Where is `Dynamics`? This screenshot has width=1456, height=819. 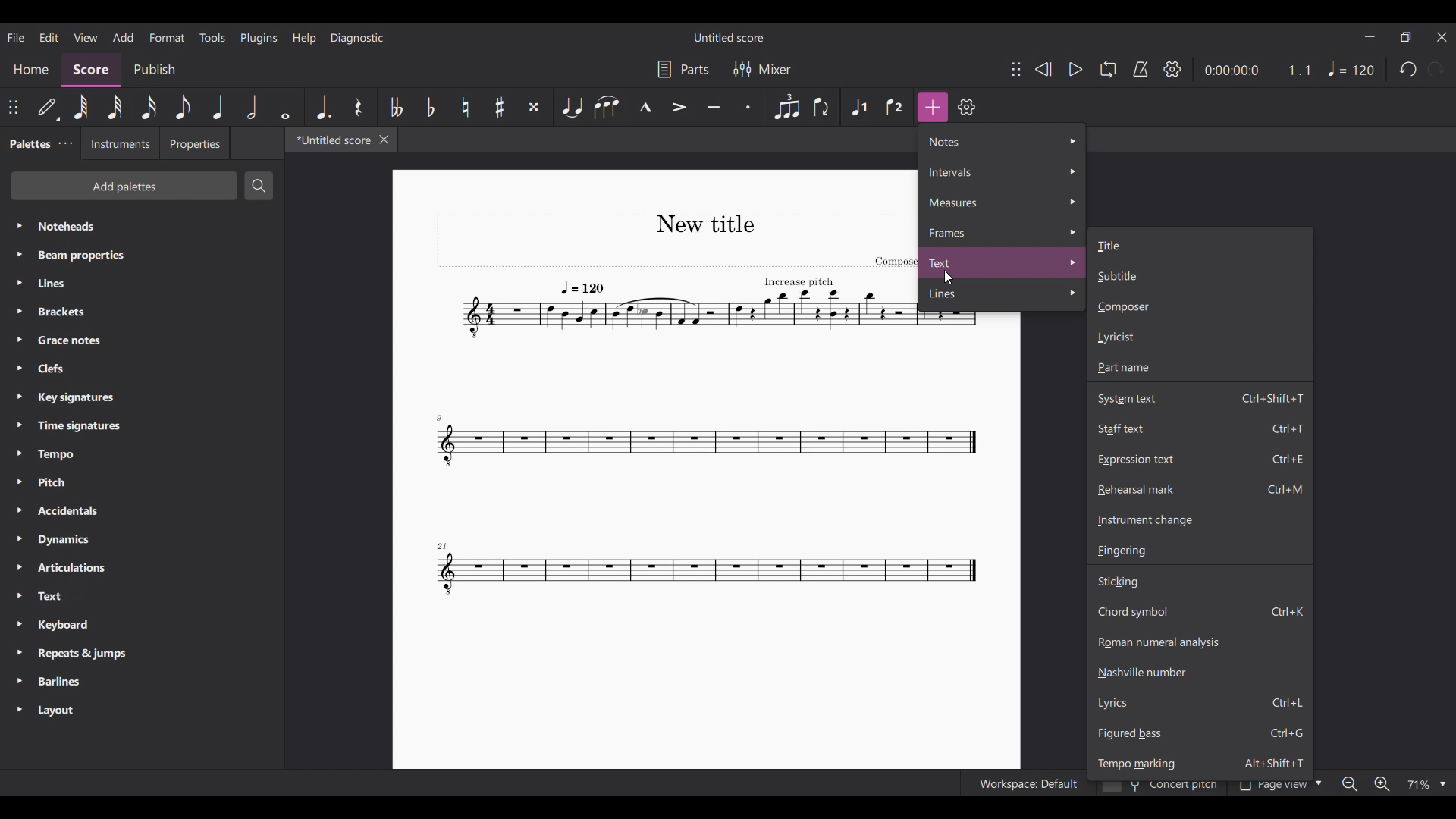
Dynamics is located at coordinates (141, 540).